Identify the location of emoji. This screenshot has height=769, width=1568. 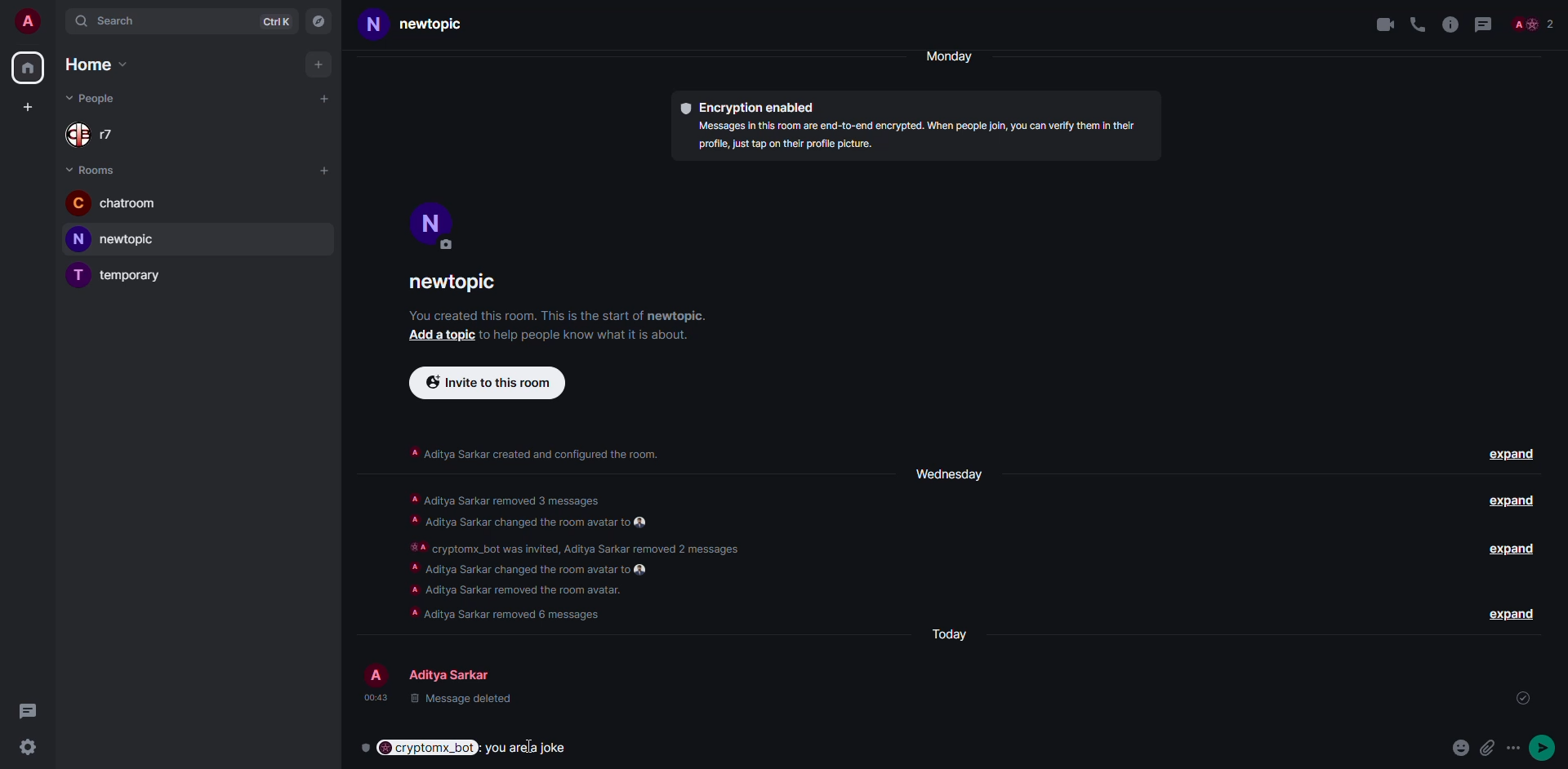
(1461, 746).